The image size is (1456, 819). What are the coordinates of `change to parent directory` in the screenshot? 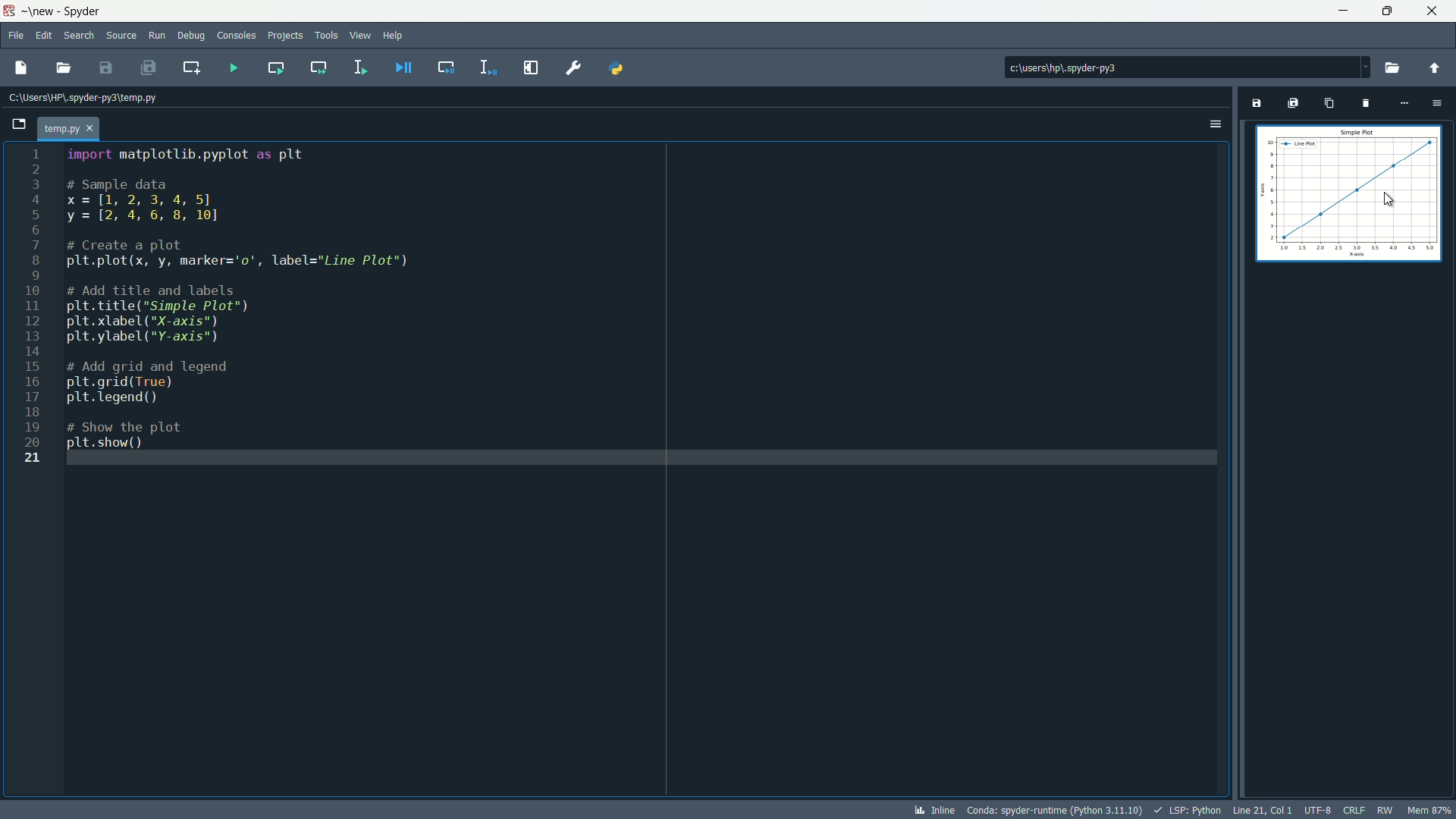 It's located at (1436, 67).